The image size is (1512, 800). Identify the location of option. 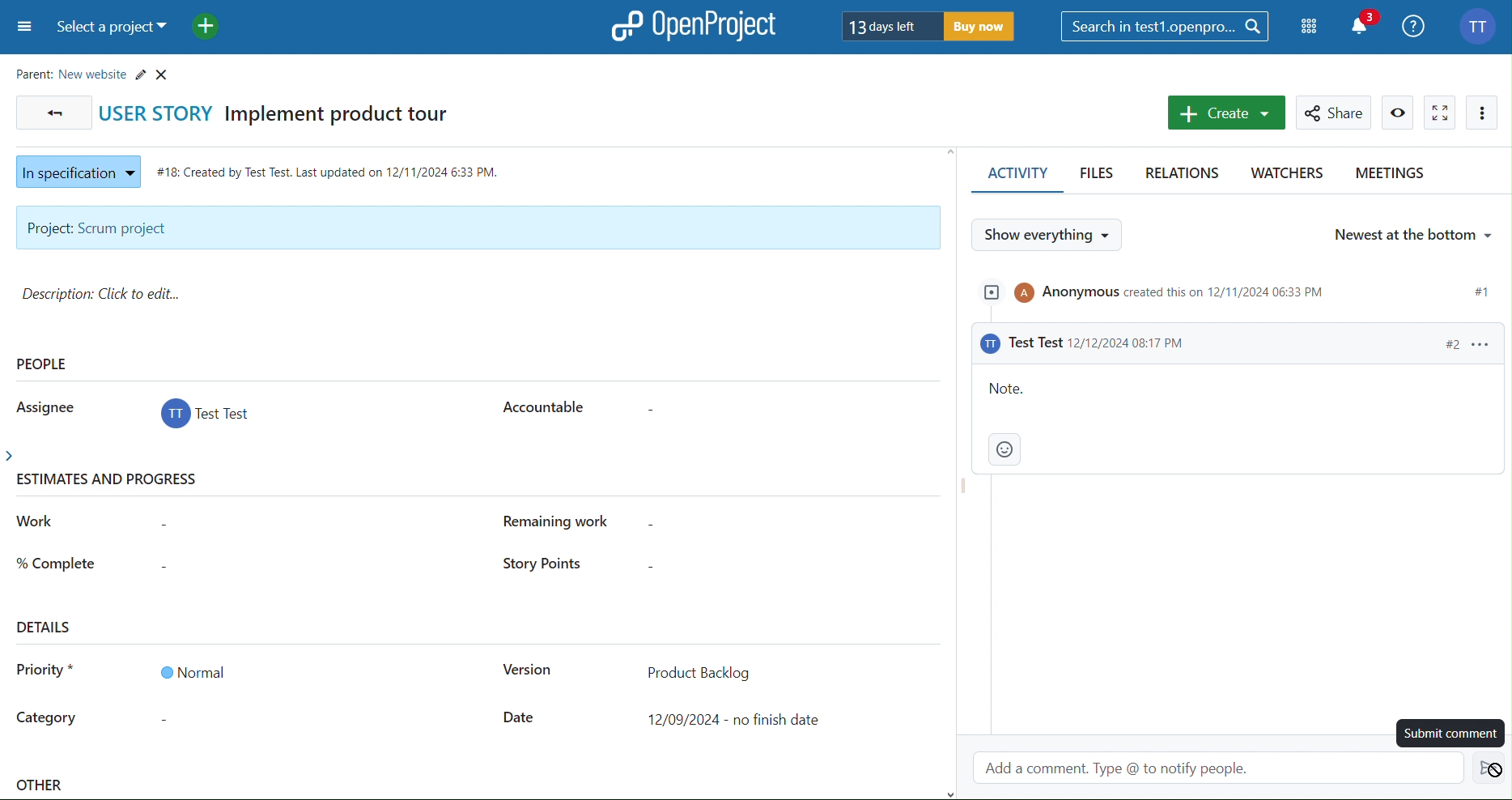
(1481, 343).